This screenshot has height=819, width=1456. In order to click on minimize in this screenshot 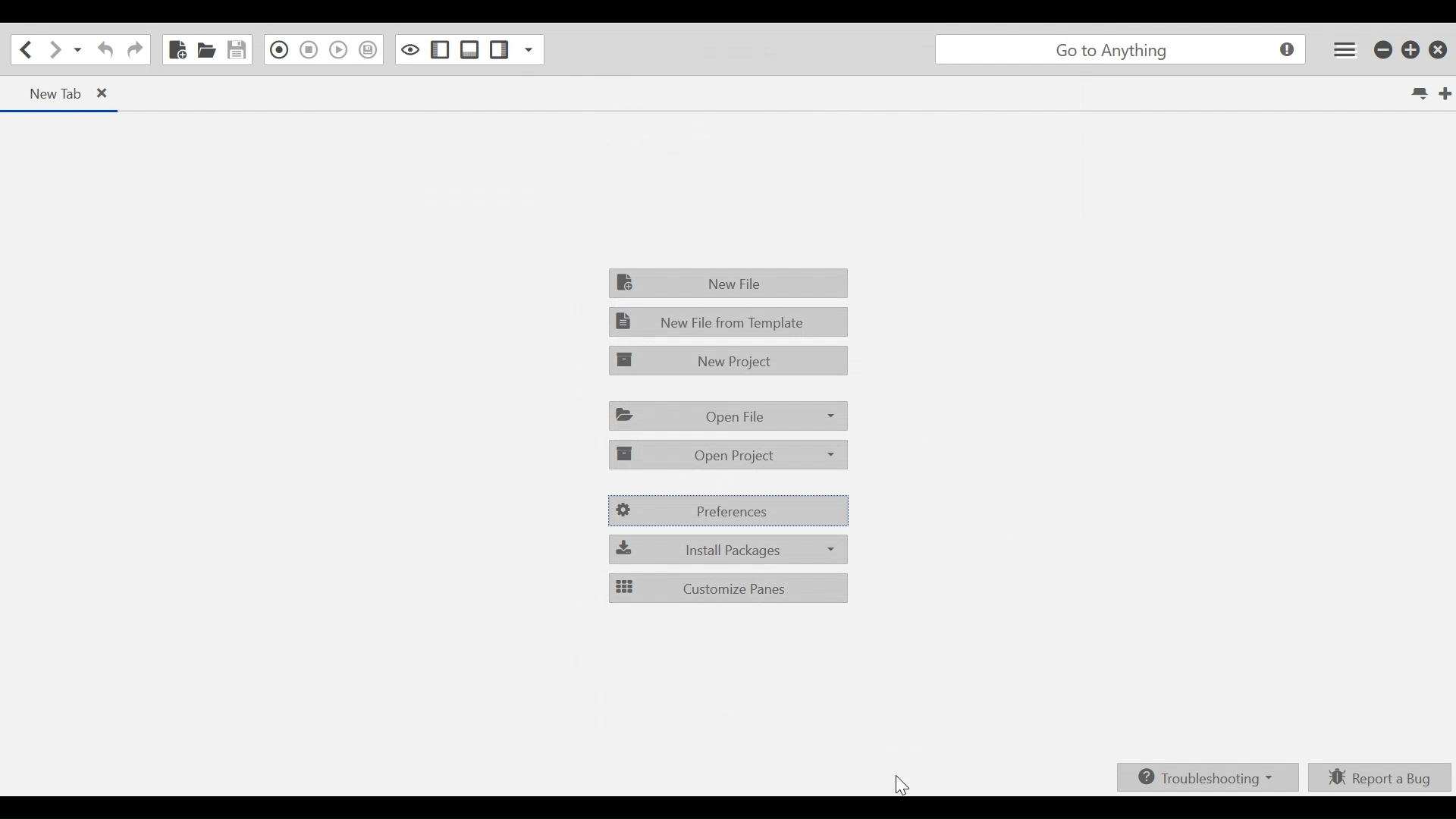, I will do `click(1384, 50)`.